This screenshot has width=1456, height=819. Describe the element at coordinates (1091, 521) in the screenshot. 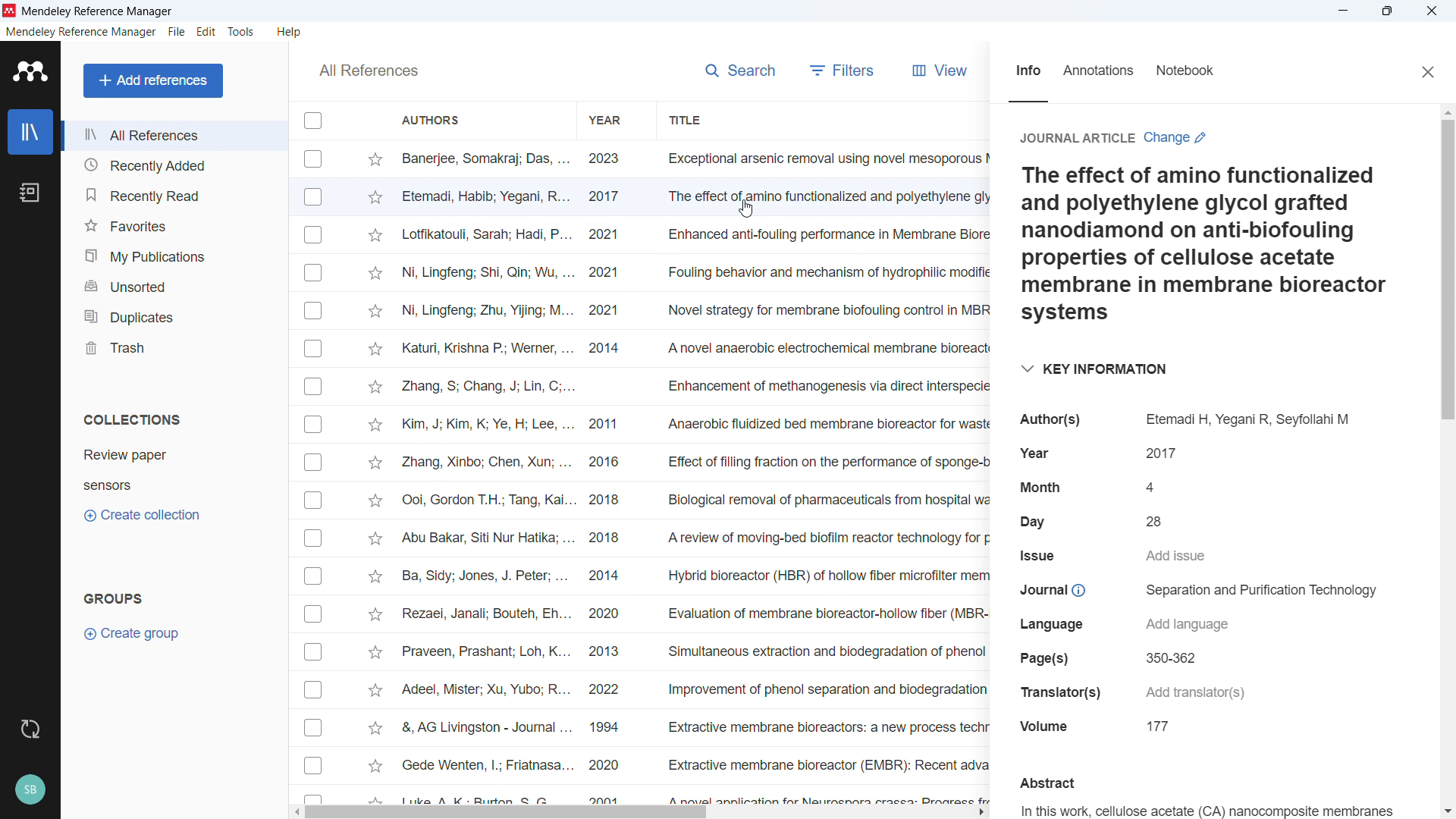

I see `day ` at that location.